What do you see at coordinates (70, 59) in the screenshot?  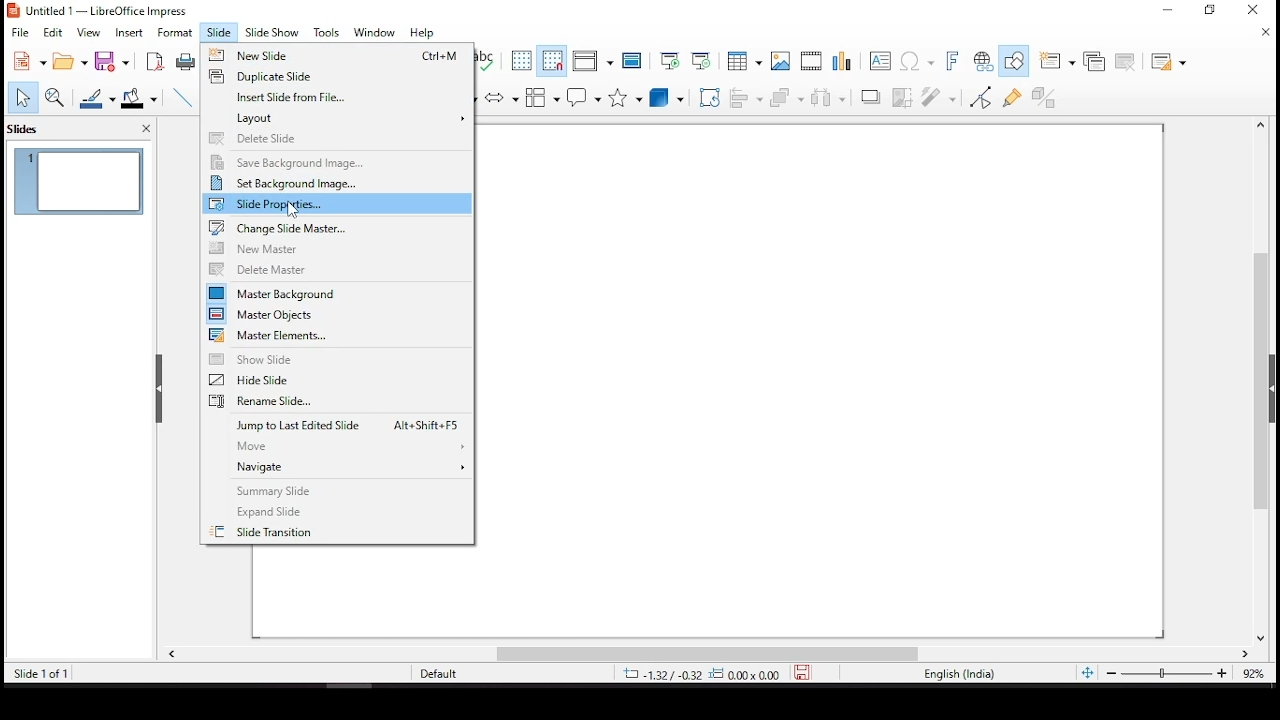 I see `open` at bounding box center [70, 59].